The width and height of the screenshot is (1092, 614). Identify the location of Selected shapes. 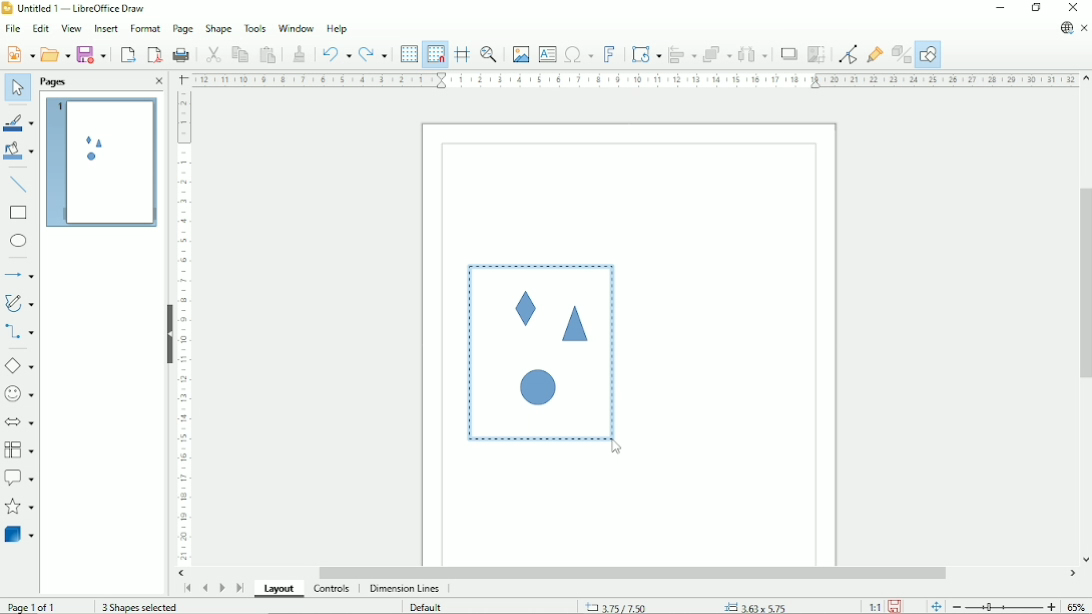
(540, 352).